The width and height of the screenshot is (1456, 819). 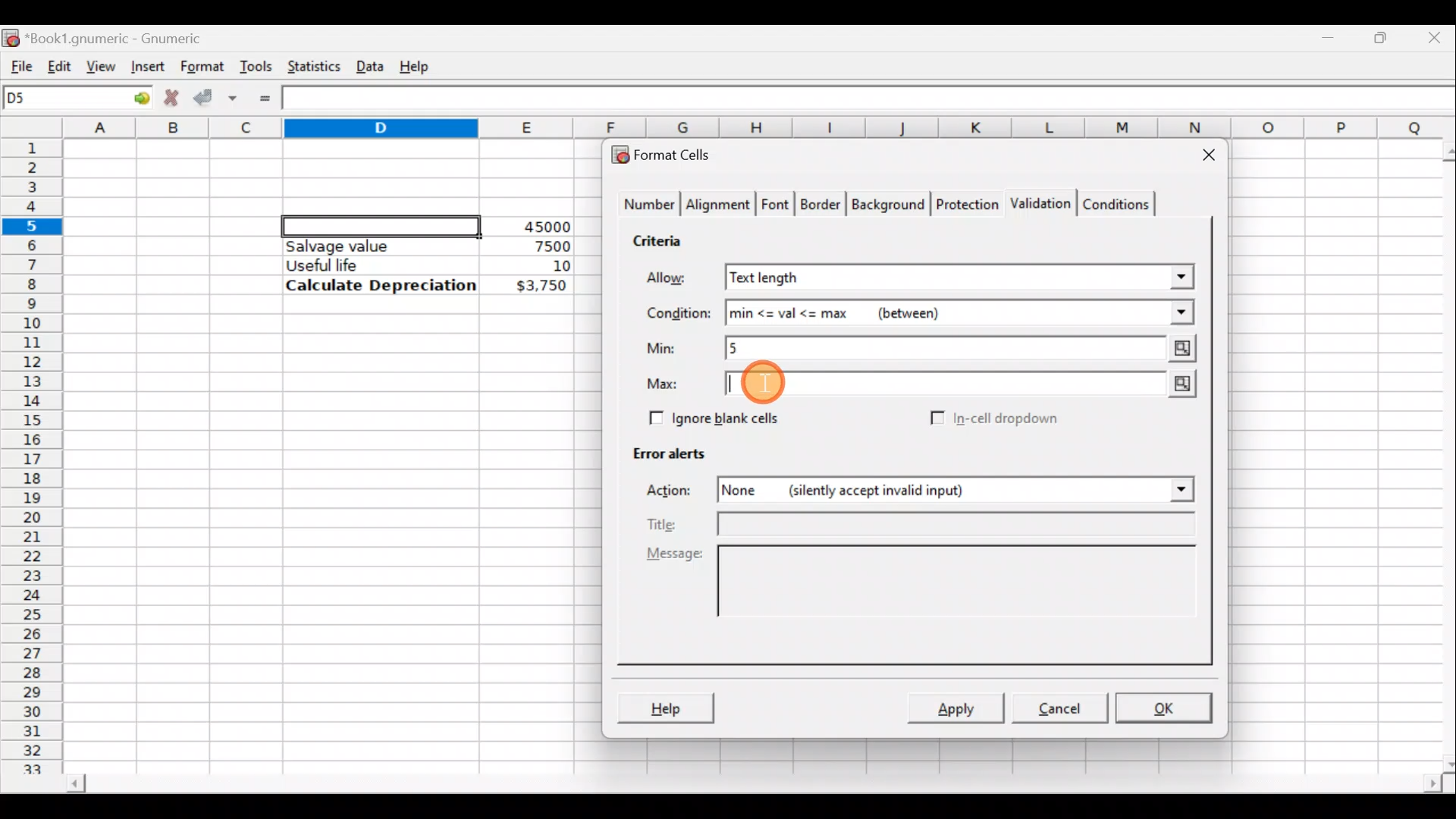 What do you see at coordinates (962, 707) in the screenshot?
I see `Apply` at bounding box center [962, 707].